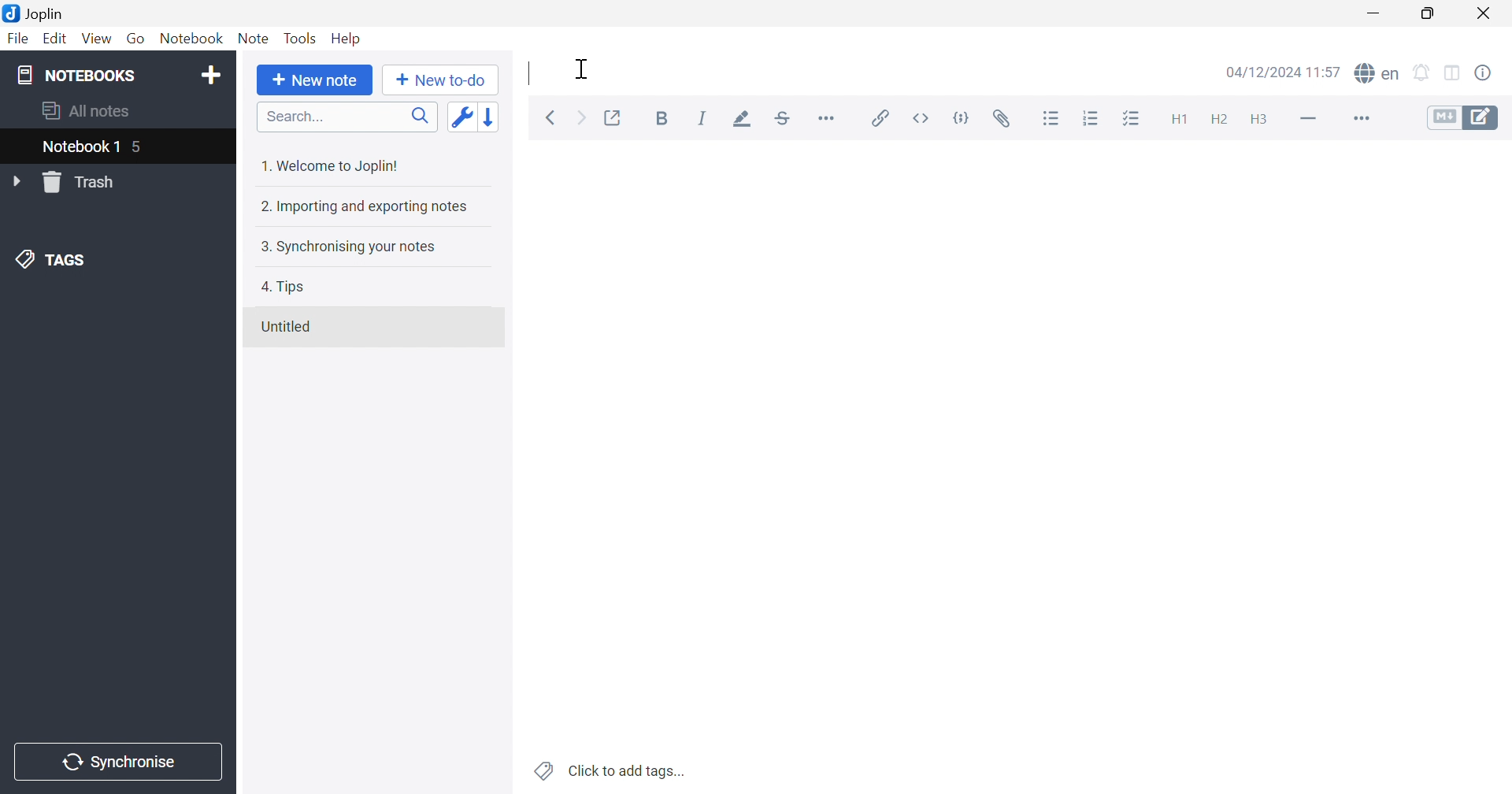 Image resolution: width=1512 pixels, height=794 pixels. I want to click on Toggle external editing, so click(616, 117).